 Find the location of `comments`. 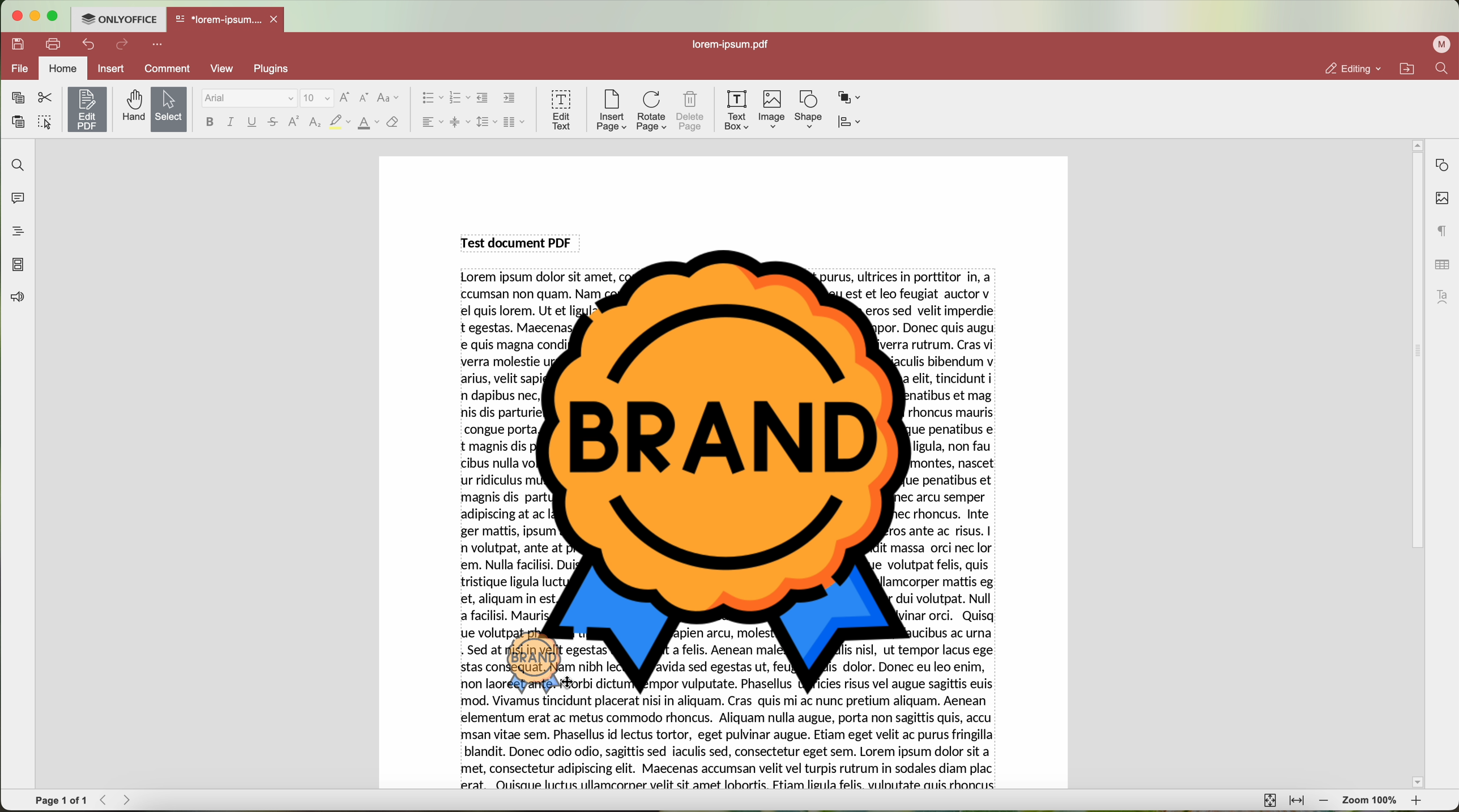

comments is located at coordinates (15, 196).